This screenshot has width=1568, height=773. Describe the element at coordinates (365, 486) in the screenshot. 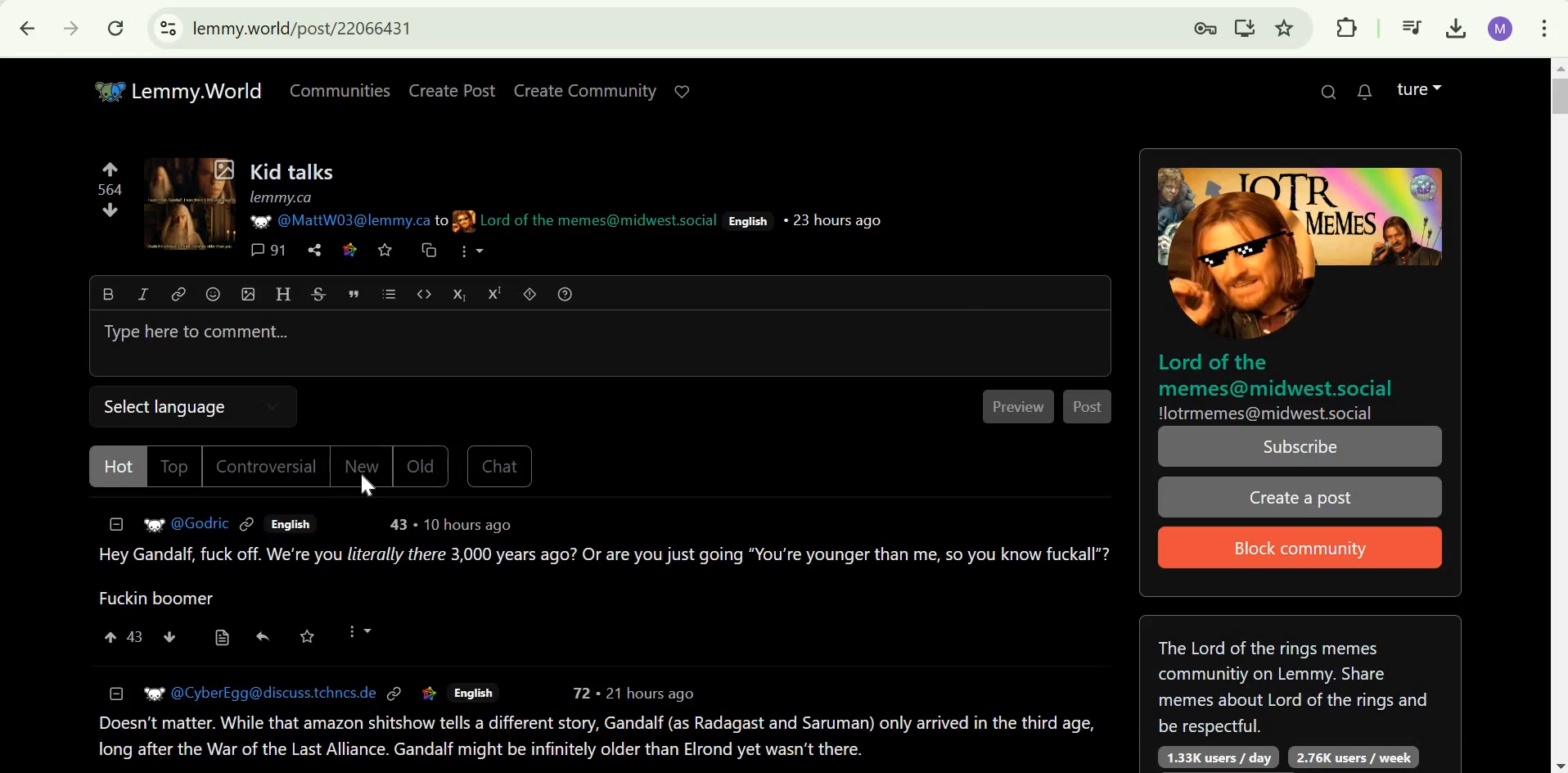

I see `cursor` at that location.